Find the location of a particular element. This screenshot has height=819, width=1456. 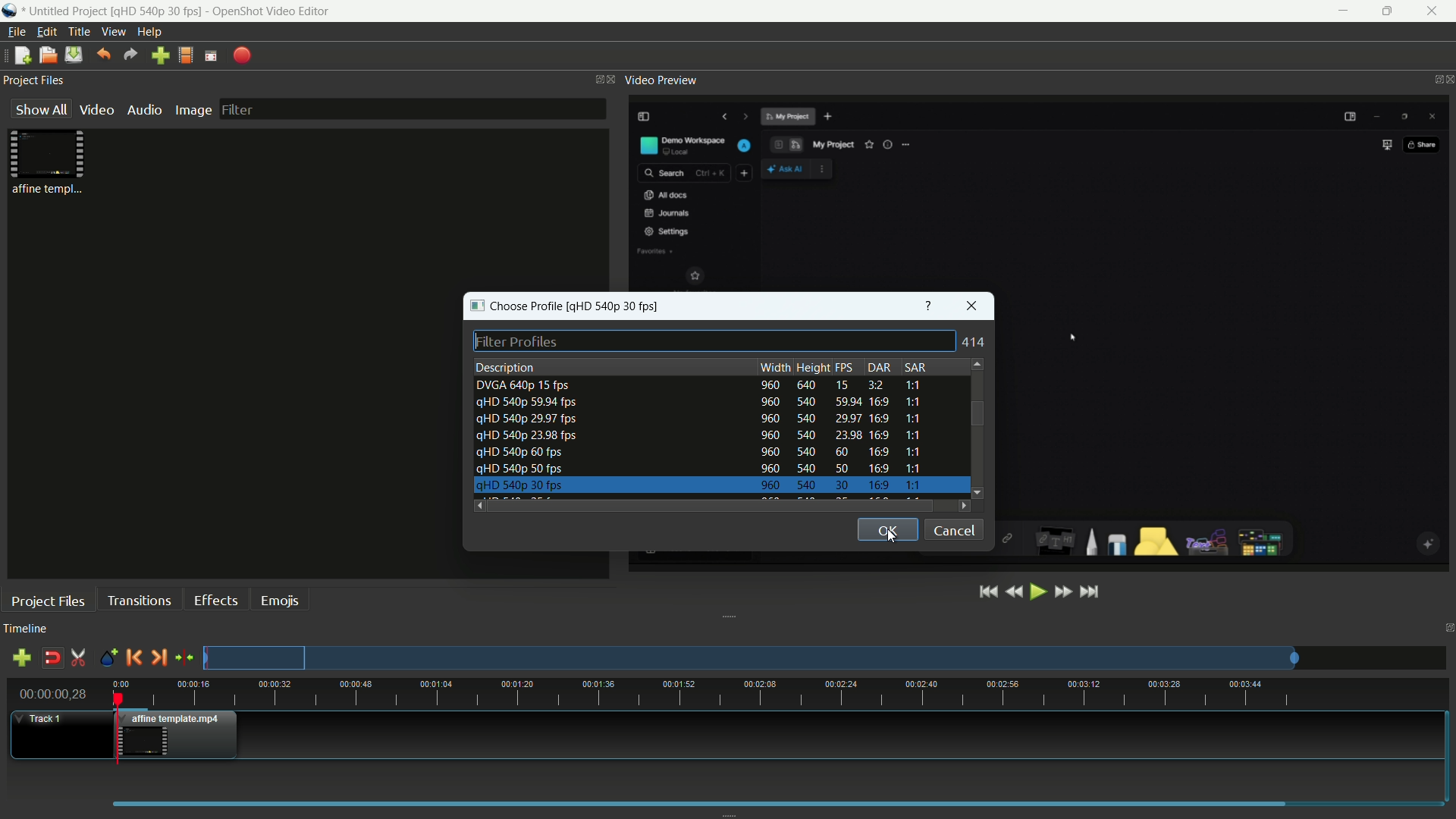

audio is located at coordinates (146, 109).